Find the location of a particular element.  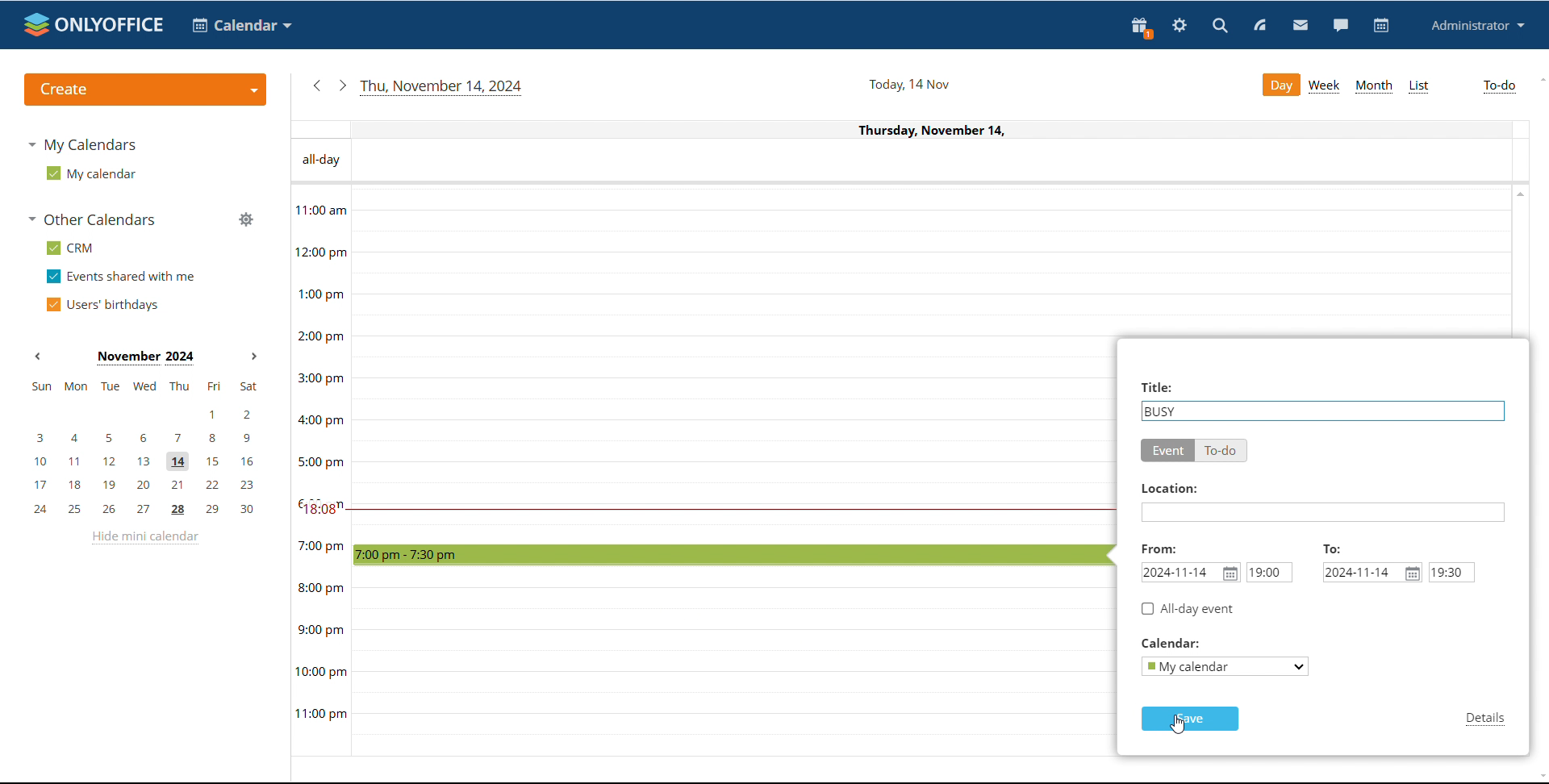

scroll up is located at coordinates (1518, 194).